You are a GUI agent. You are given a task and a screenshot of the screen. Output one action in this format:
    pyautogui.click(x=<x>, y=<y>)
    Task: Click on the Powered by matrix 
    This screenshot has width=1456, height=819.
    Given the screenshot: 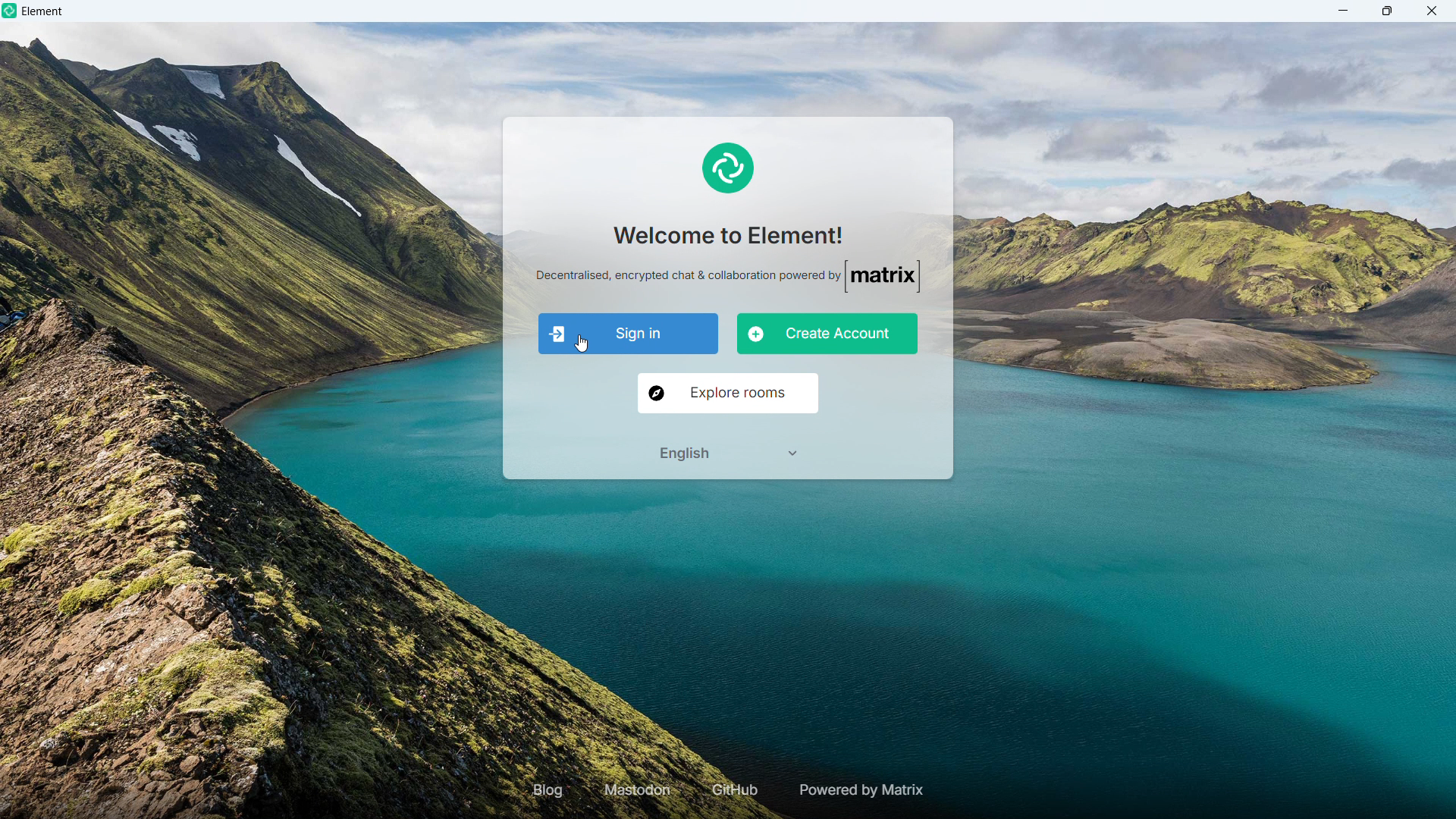 What is the action you would take?
    pyautogui.click(x=859, y=790)
    